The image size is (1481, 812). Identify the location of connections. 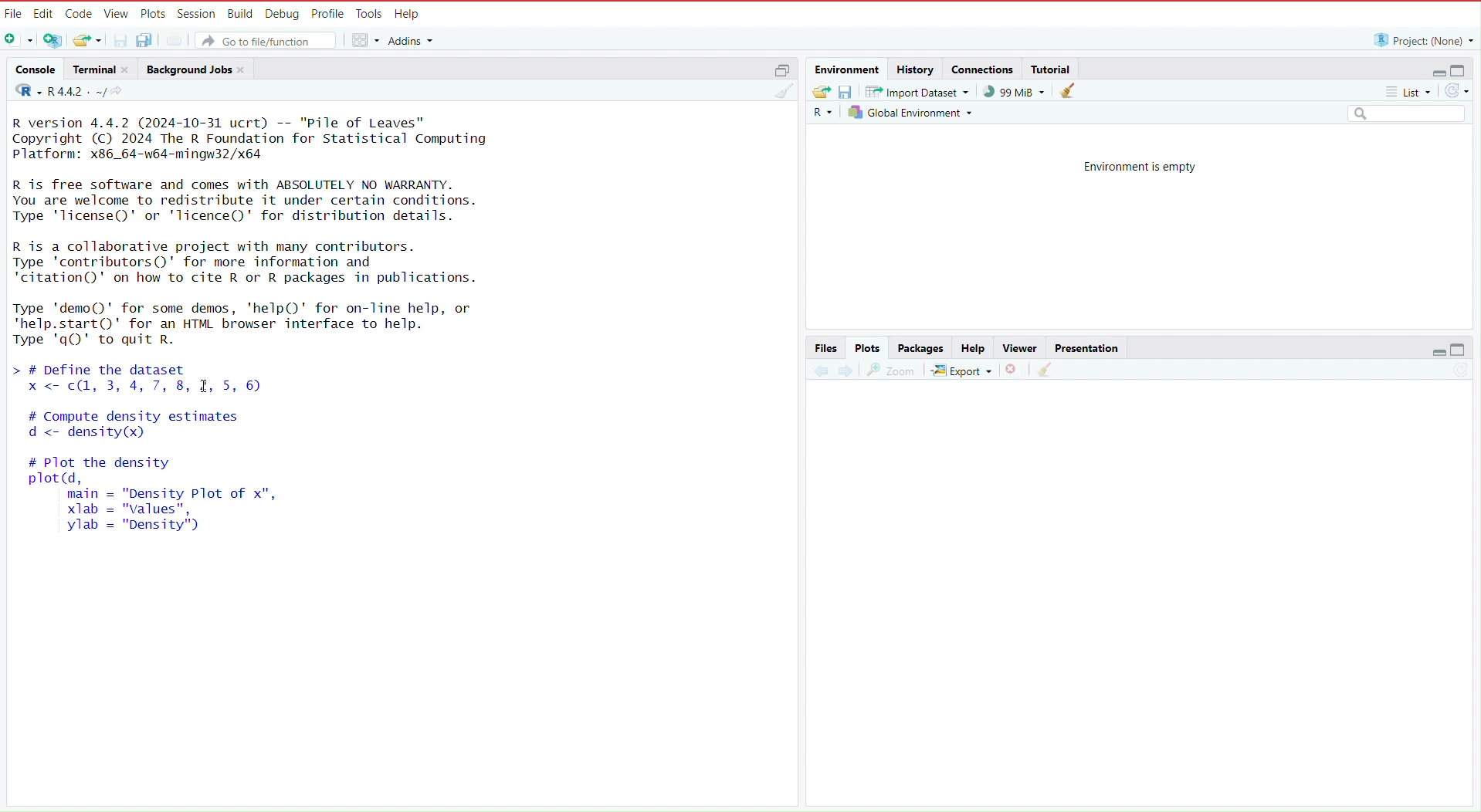
(982, 68).